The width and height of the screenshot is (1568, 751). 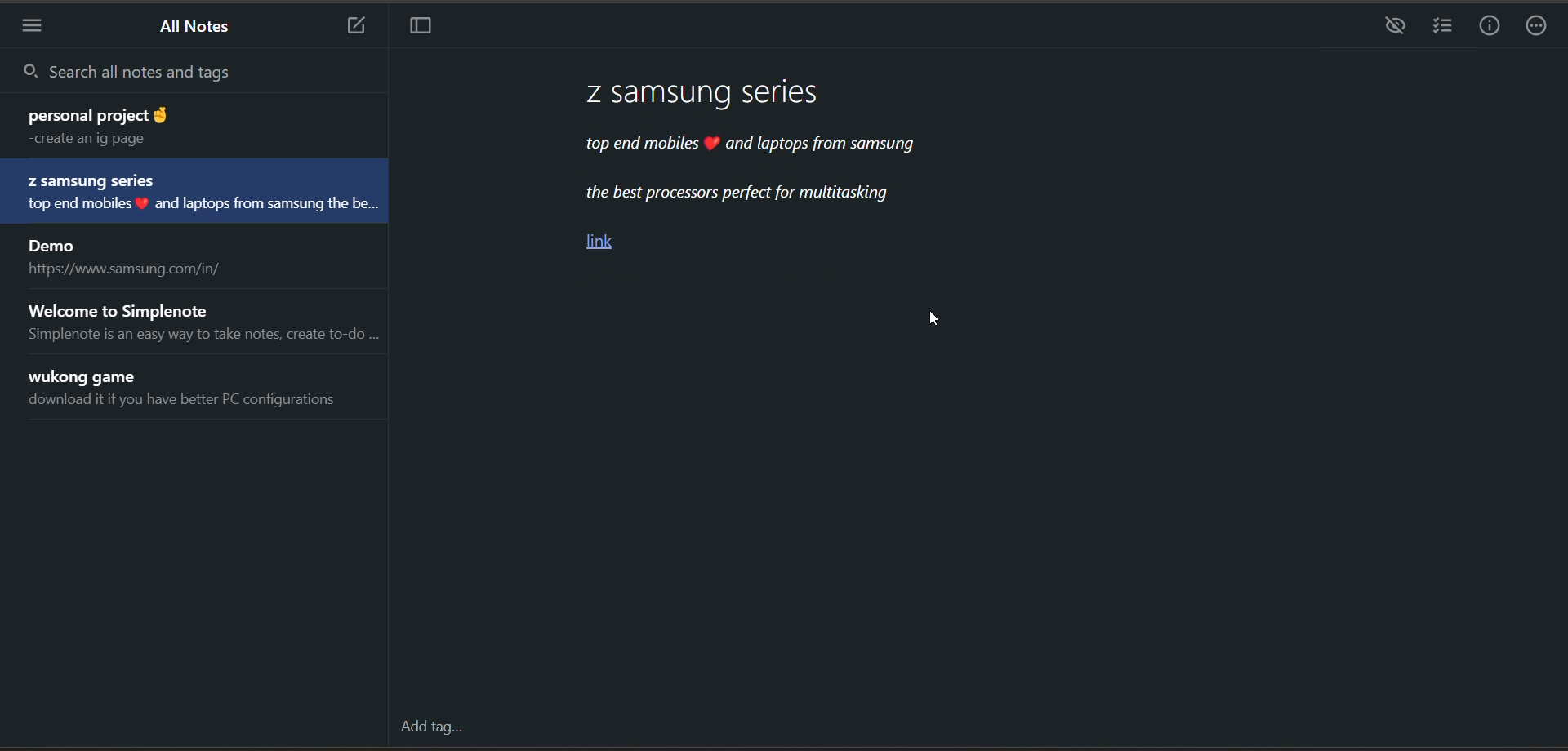 What do you see at coordinates (1440, 26) in the screenshot?
I see `insert checklist` at bounding box center [1440, 26].